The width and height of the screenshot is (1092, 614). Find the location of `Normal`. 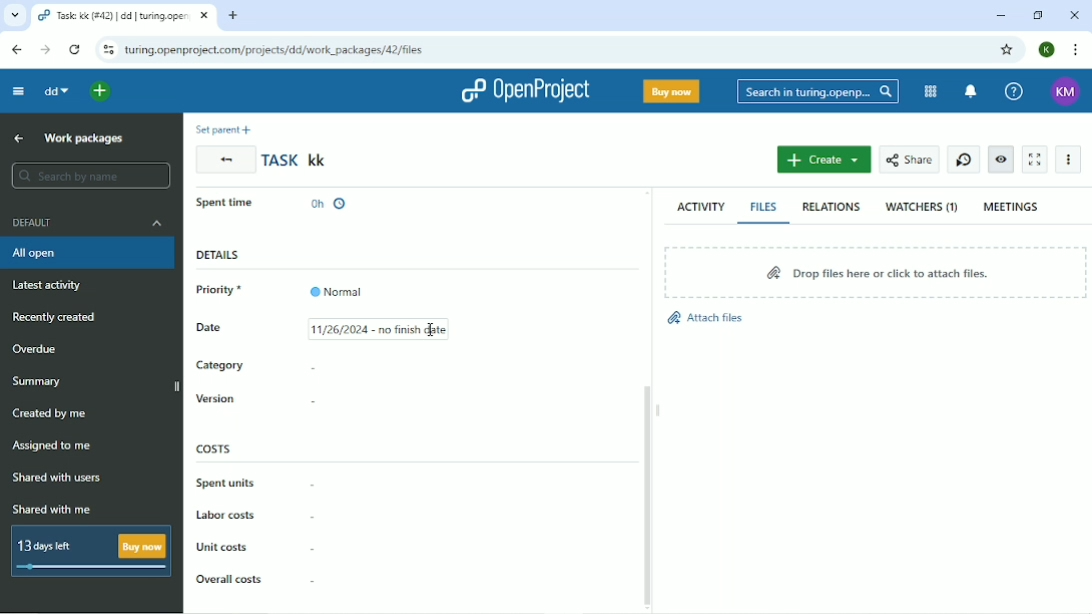

Normal is located at coordinates (339, 286).